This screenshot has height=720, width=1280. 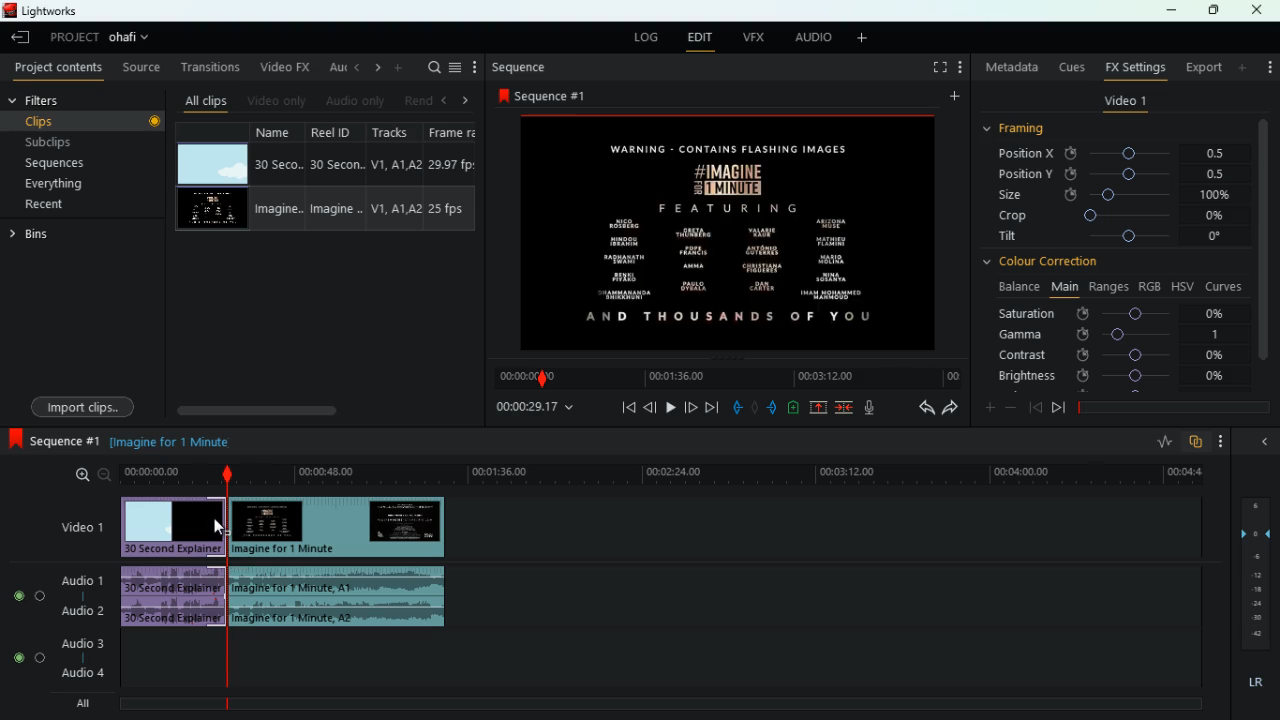 What do you see at coordinates (689, 405) in the screenshot?
I see `front` at bounding box center [689, 405].